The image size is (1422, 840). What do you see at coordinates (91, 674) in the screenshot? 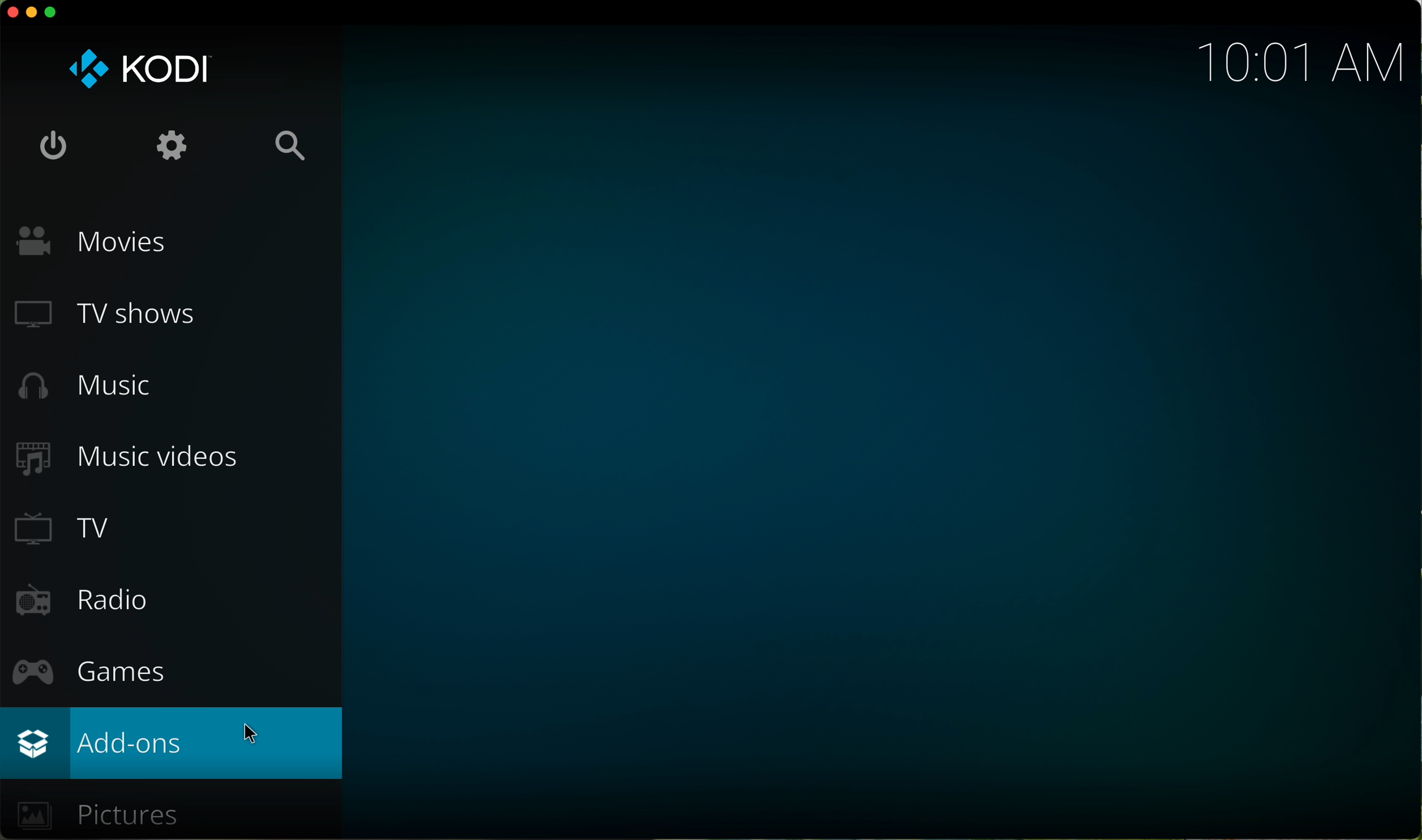
I see `games` at bounding box center [91, 674].